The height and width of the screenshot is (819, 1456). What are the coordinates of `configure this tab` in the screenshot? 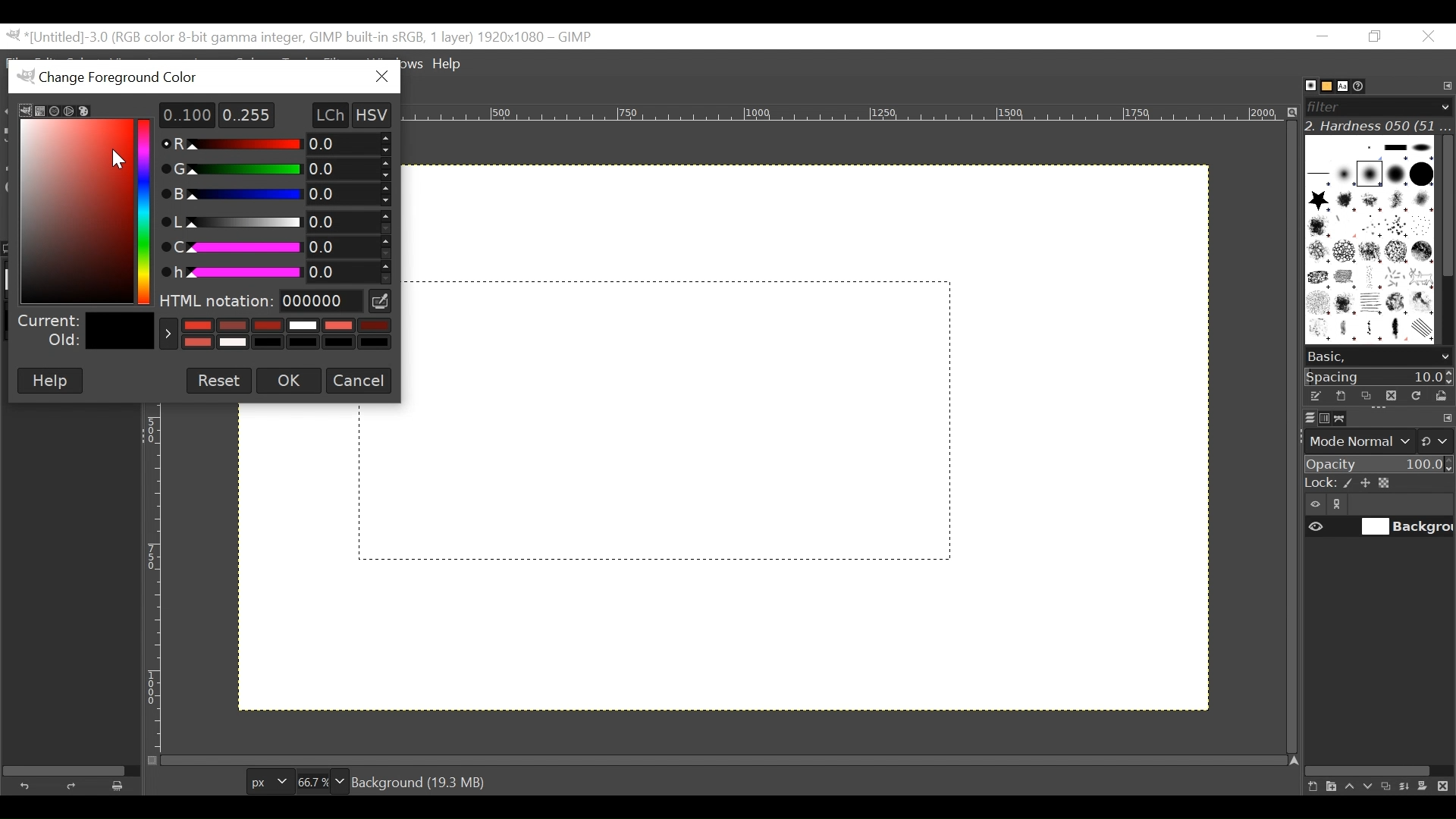 It's located at (1447, 419).